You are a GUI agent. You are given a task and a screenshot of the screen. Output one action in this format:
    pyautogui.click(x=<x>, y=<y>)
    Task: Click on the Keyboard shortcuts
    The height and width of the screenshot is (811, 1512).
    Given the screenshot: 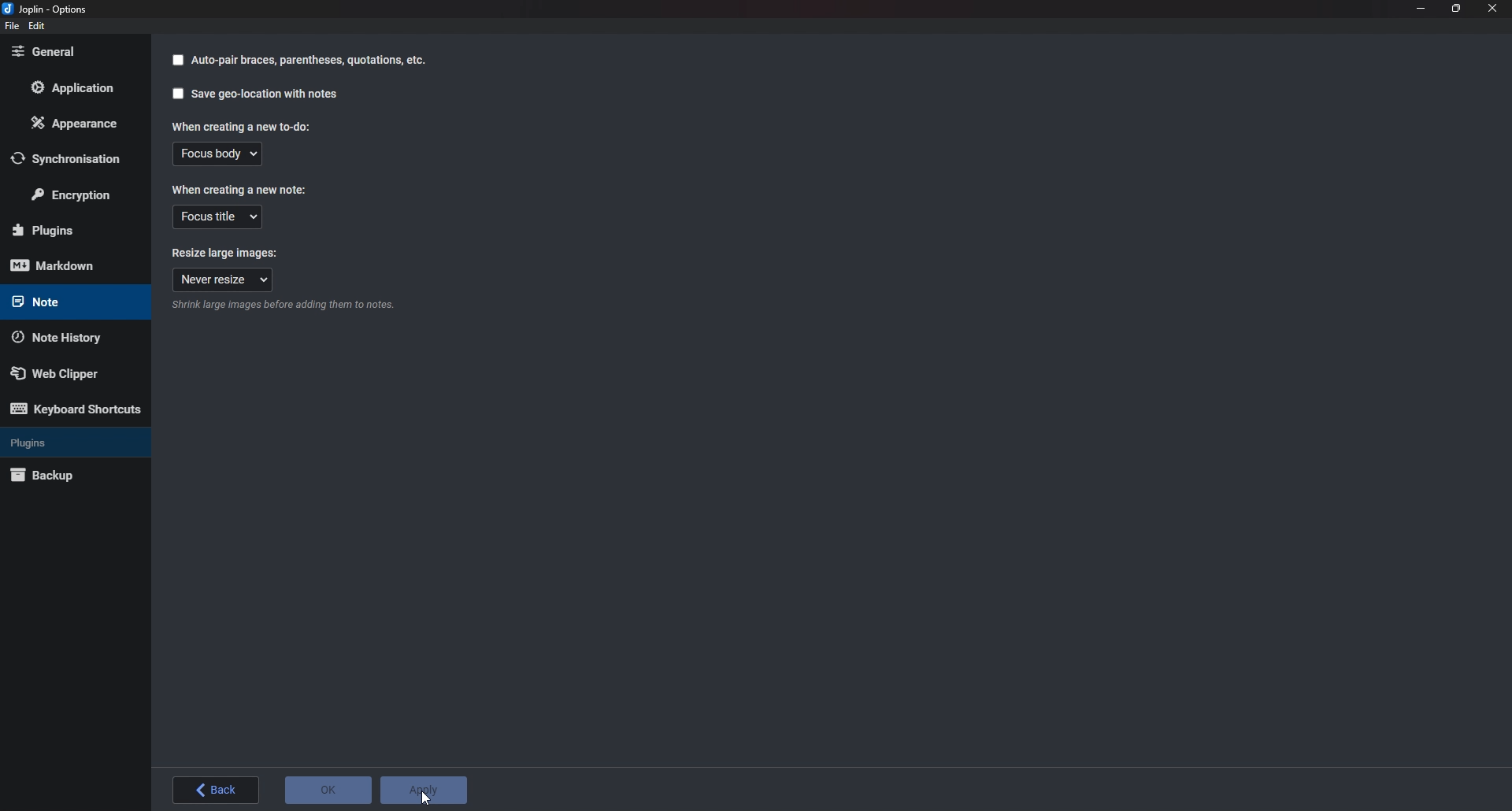 What is the action you would take?
    pyautogui.click(x=75, y=409)
    